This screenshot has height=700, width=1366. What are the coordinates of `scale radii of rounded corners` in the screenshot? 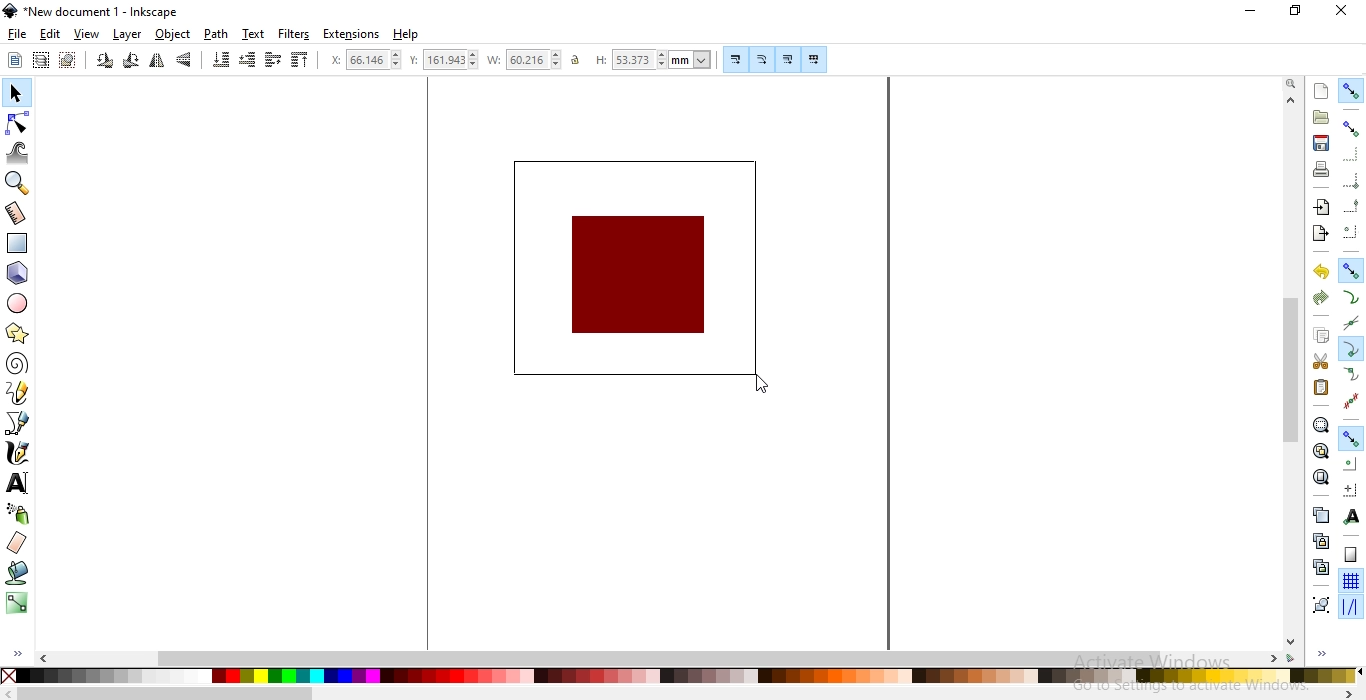 It's located at (761, 59).